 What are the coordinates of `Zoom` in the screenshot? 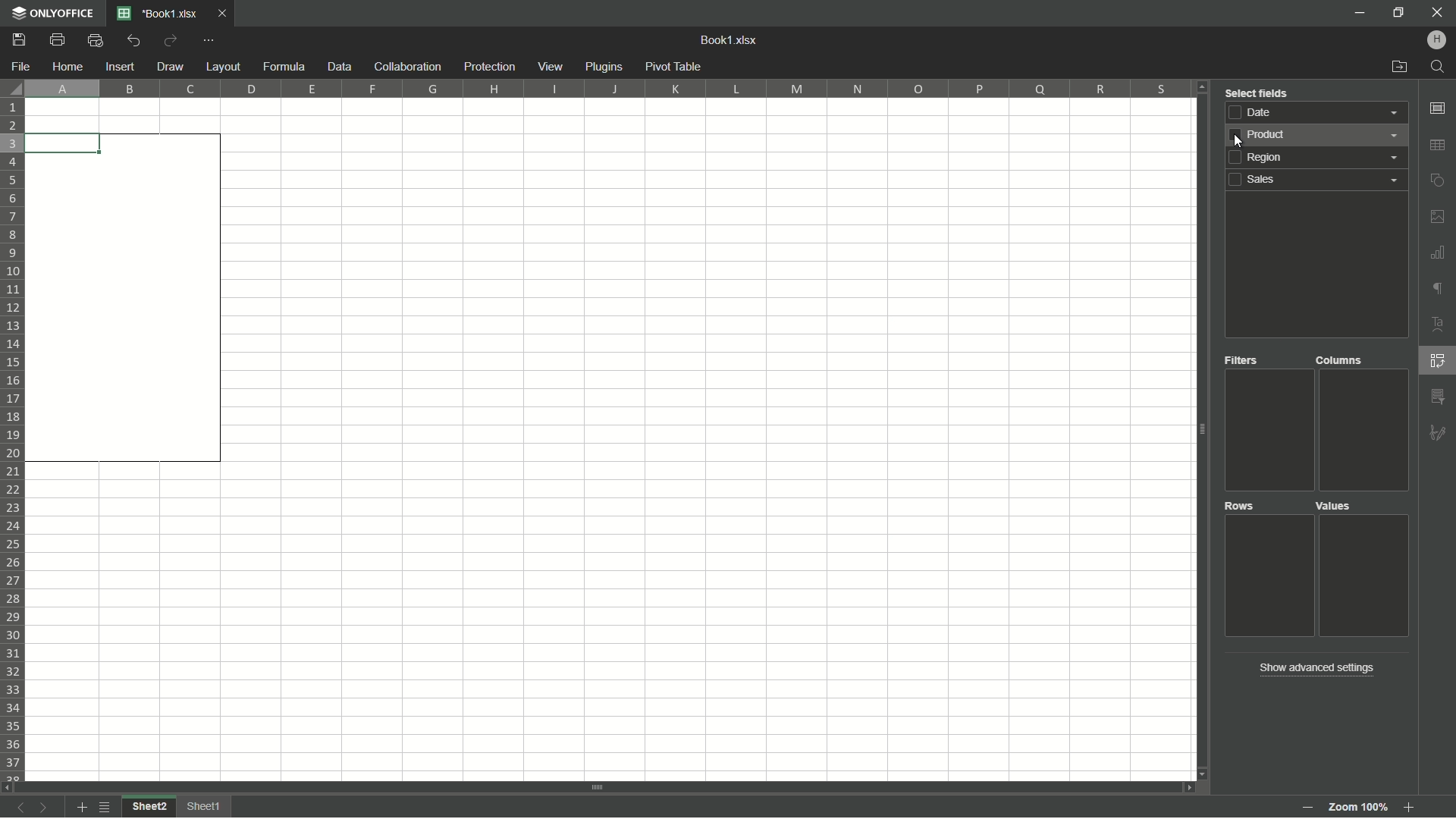 It's located at (1410, 810).